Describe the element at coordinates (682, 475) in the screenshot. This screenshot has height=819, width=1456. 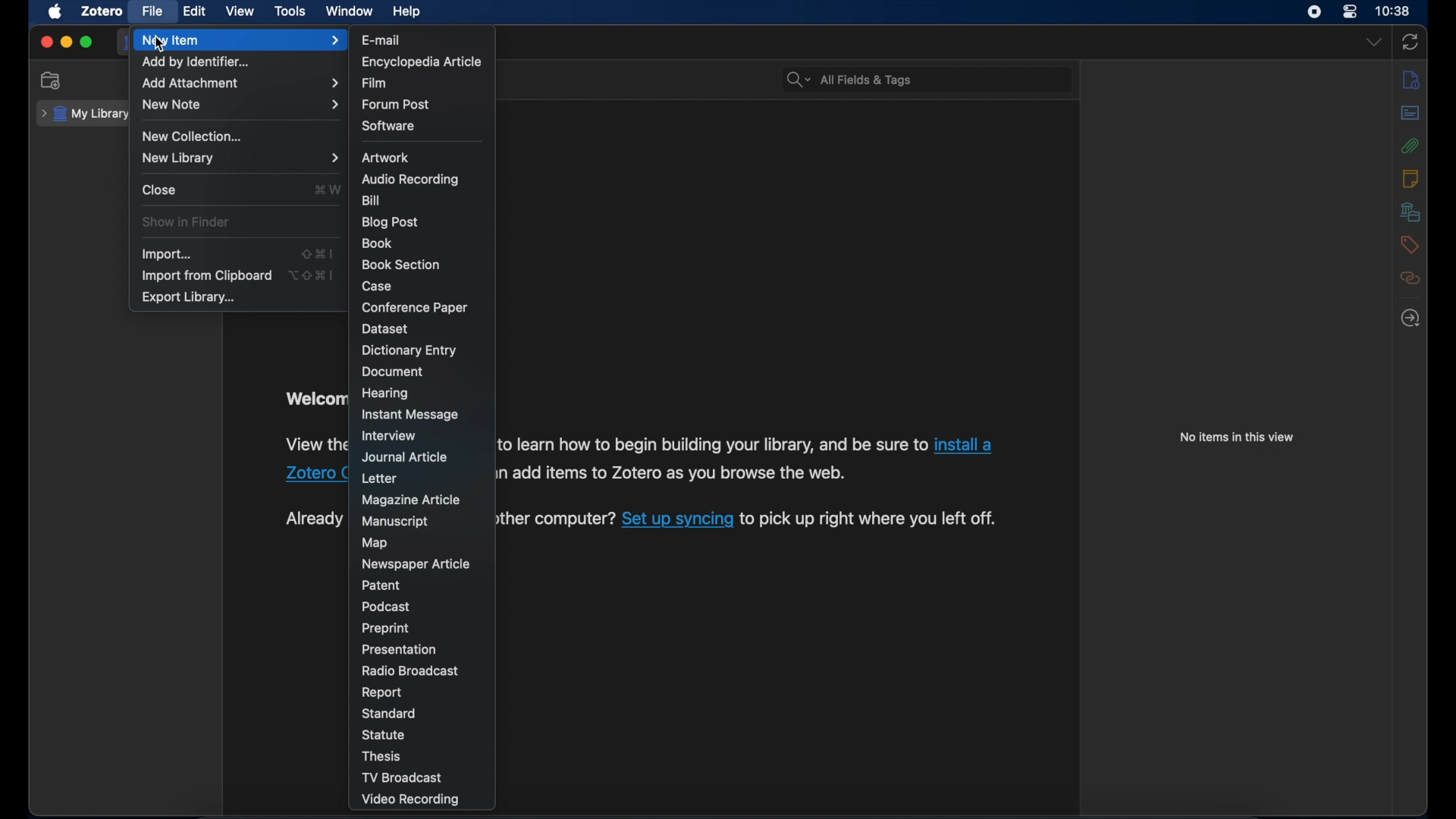
I see `add items to Zotero as you browse the web` at that location.